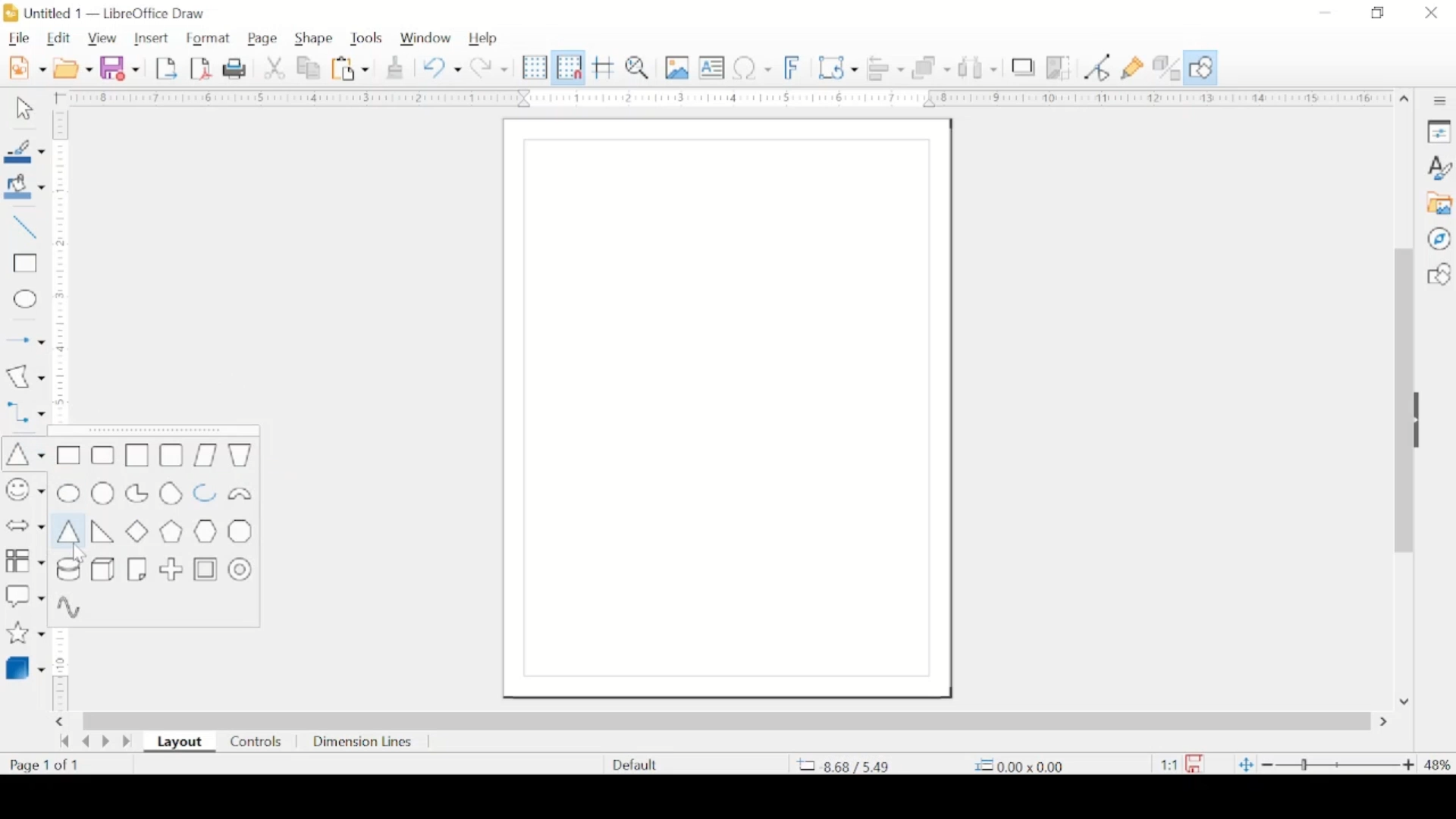 Image resolution: width=1456 pixels, height=819 pixels. What do you see at coordinates (1404, 99) in the screenshot?
I see `scroll up ` at bounding box center [1404, 99].